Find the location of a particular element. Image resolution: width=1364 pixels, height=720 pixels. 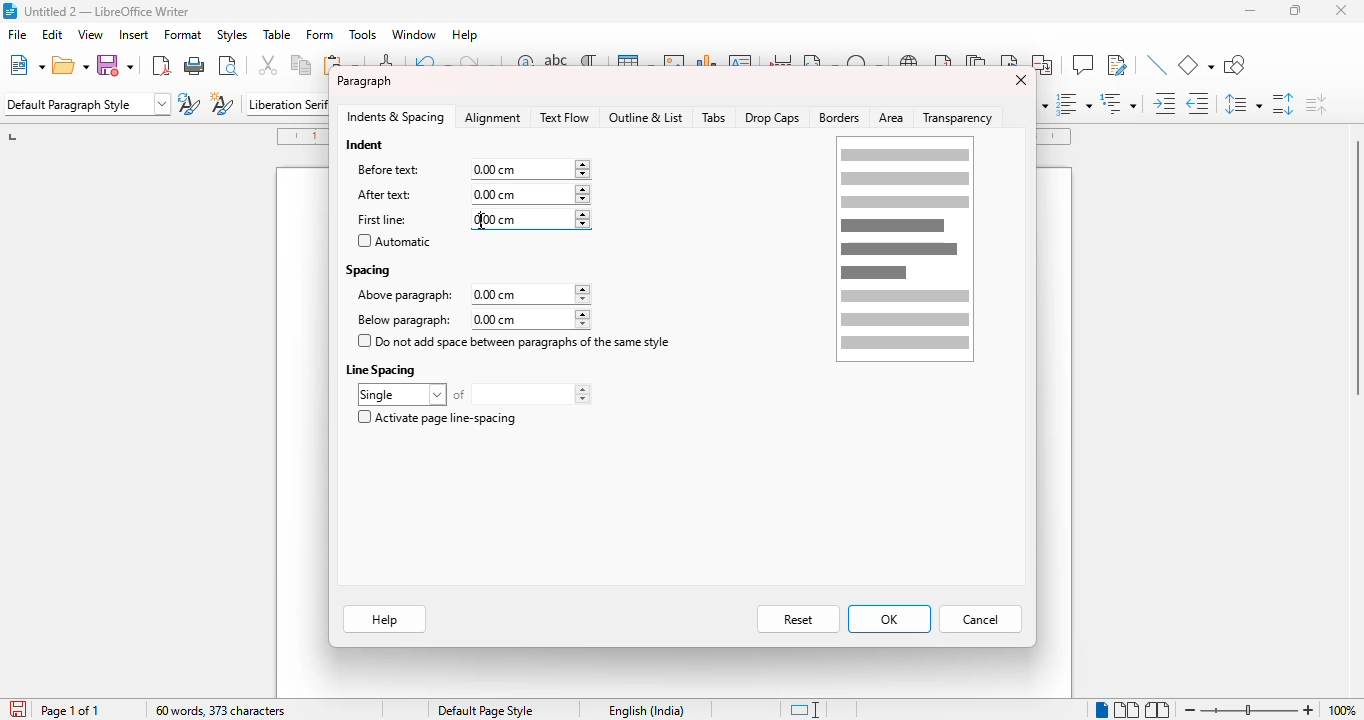

book view is located at coordinates (1158, 709).